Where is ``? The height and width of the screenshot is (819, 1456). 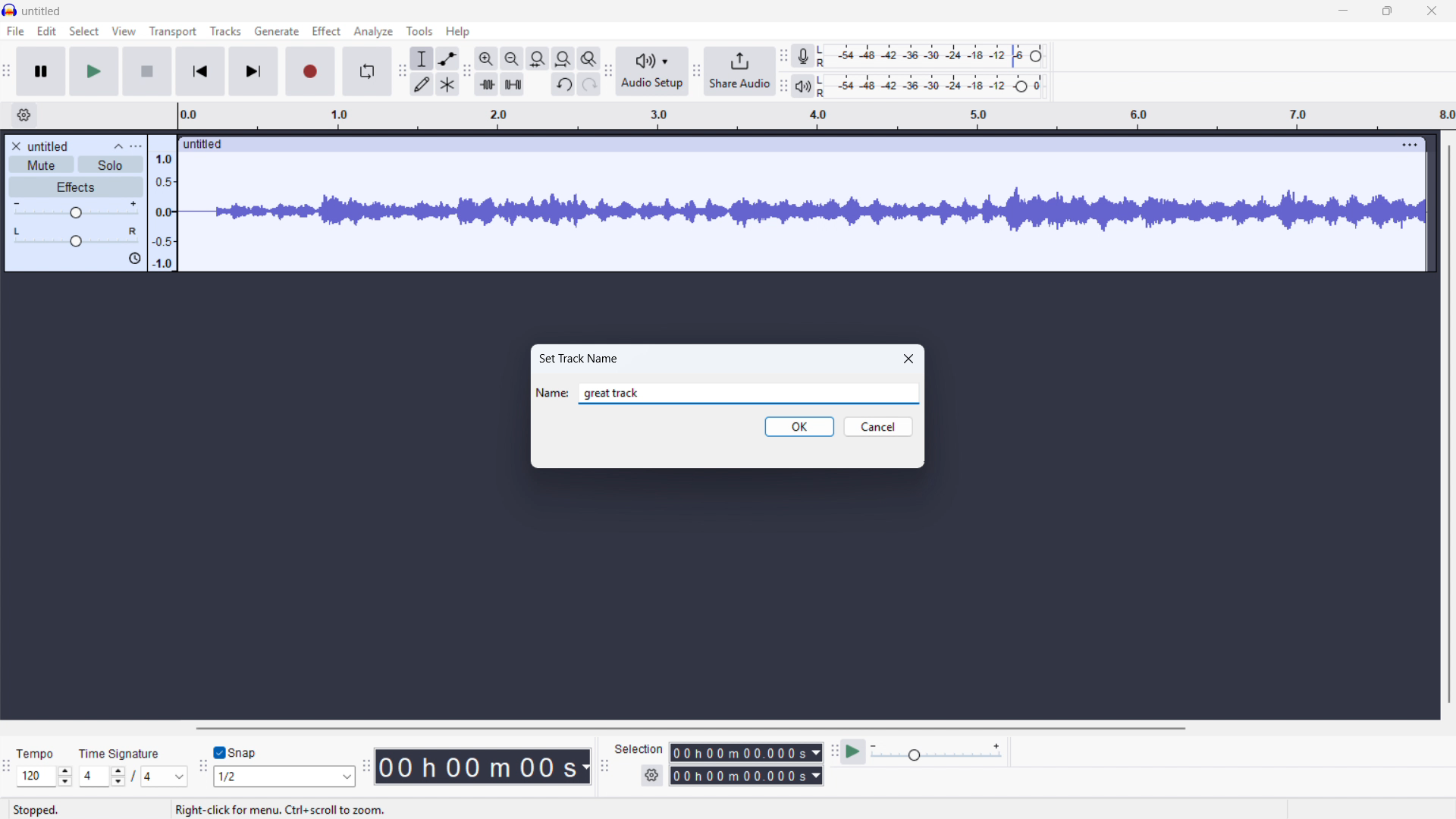
 is located at coordinates (937, 752).